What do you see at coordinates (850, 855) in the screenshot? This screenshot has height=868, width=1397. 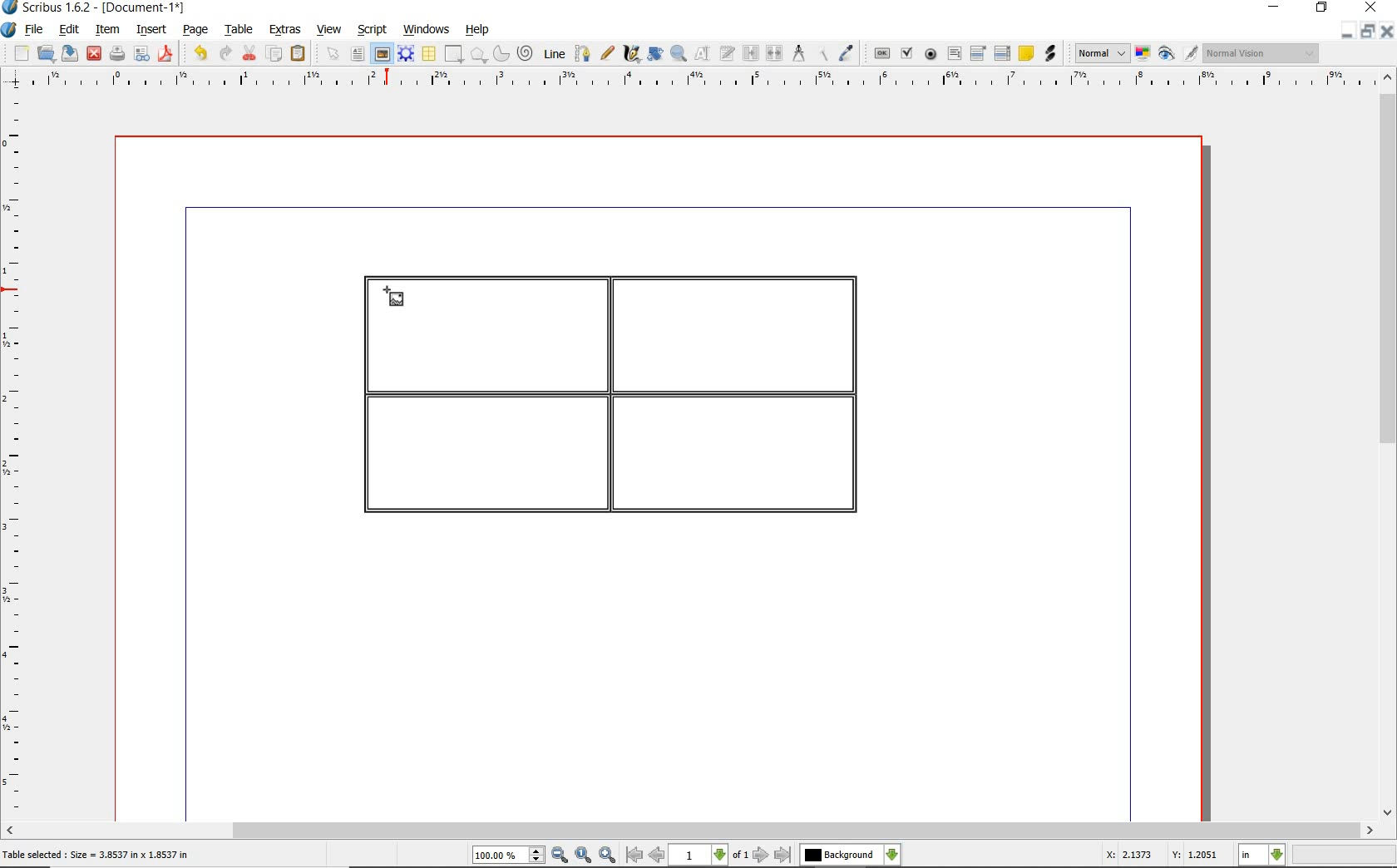 I see `select the current layer` at bounding box center [850, 855].